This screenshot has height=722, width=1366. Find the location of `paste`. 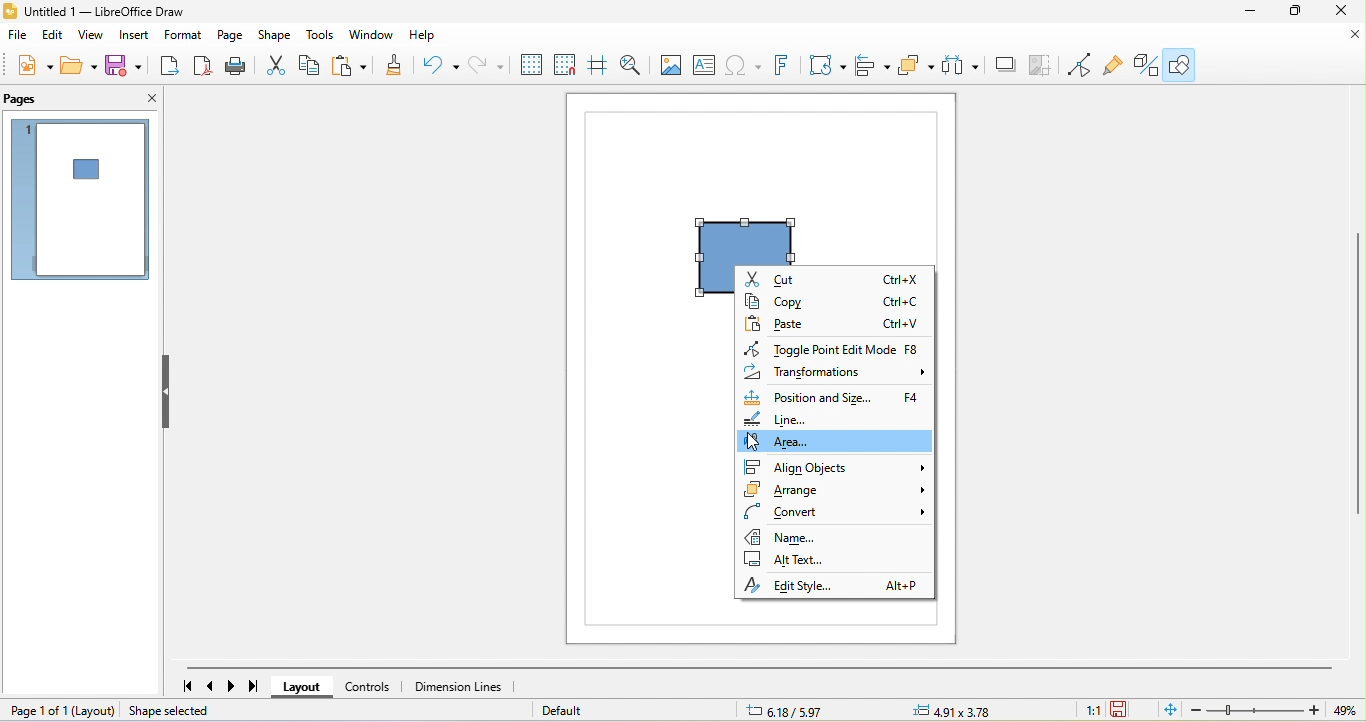

paste is located at coordinates (834, 324).